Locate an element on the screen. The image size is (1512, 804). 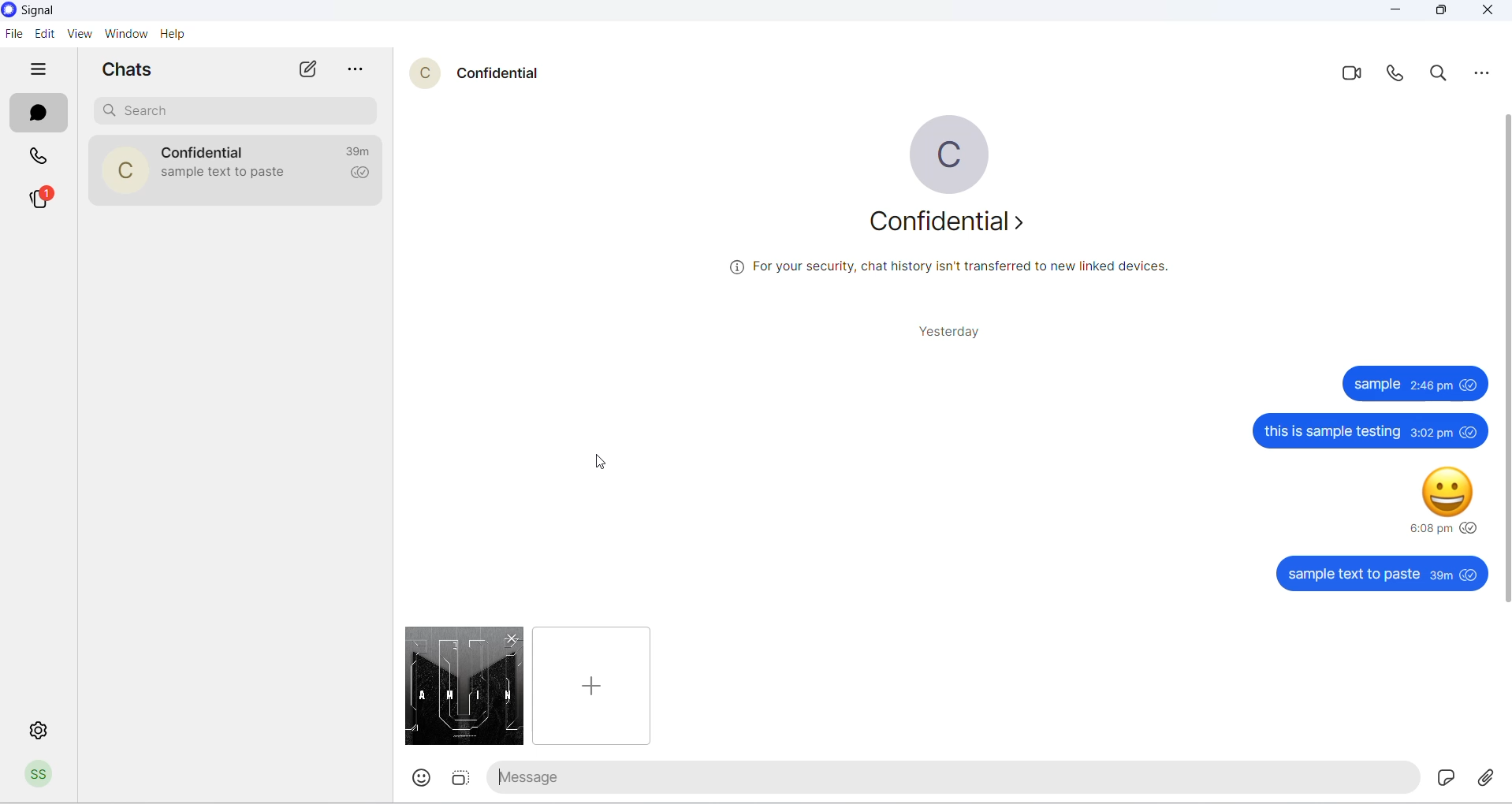
39m is located at coordinates (1441, 576).